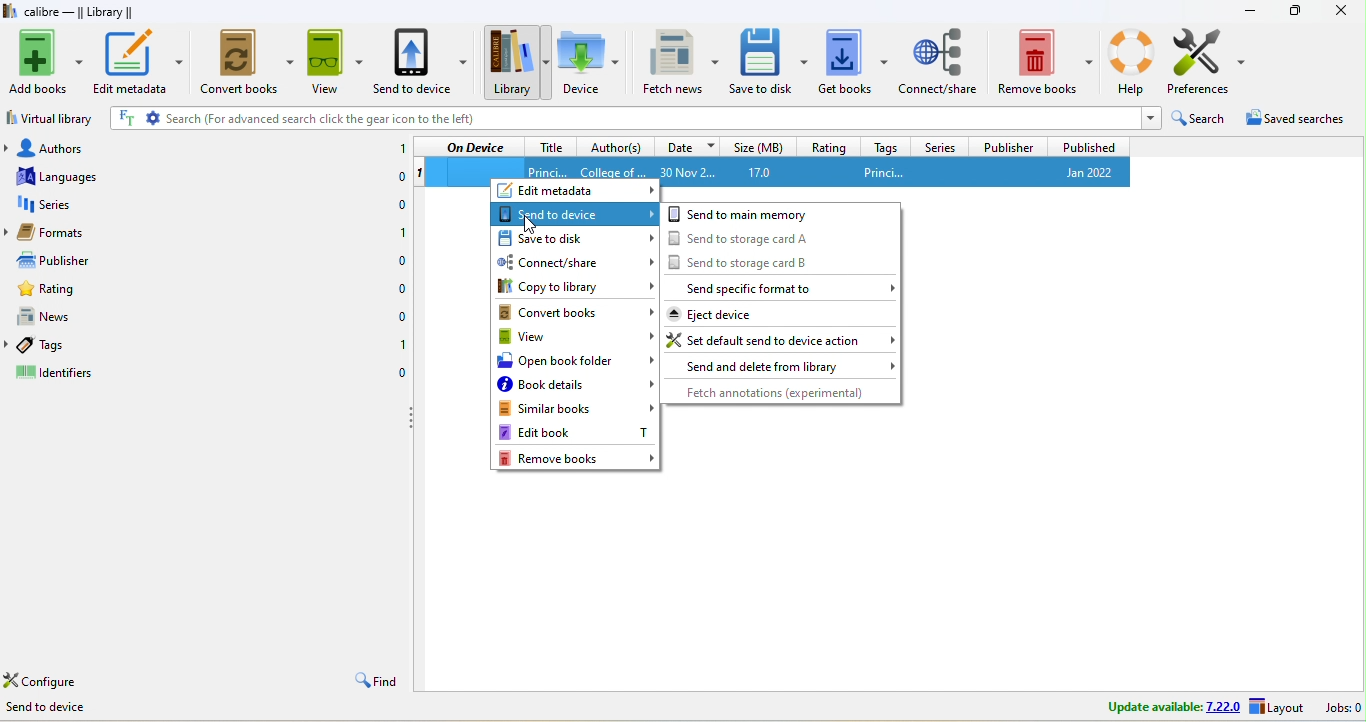 The height and width of the screenshot is (722, 1366). I want to click on saved searches, so click(1298, 122).